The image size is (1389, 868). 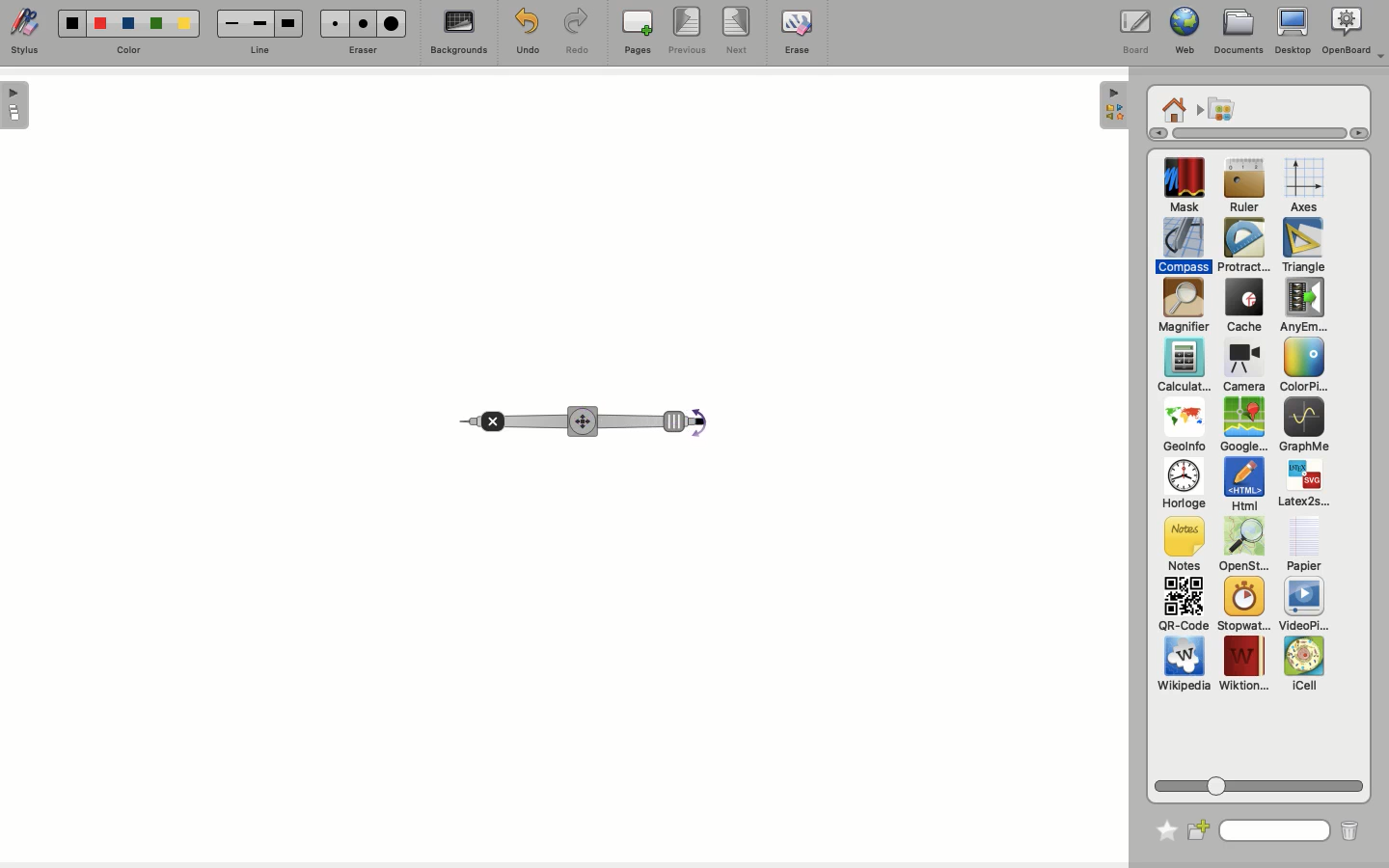 I want to click on Any, so click(x=1303, y=306).